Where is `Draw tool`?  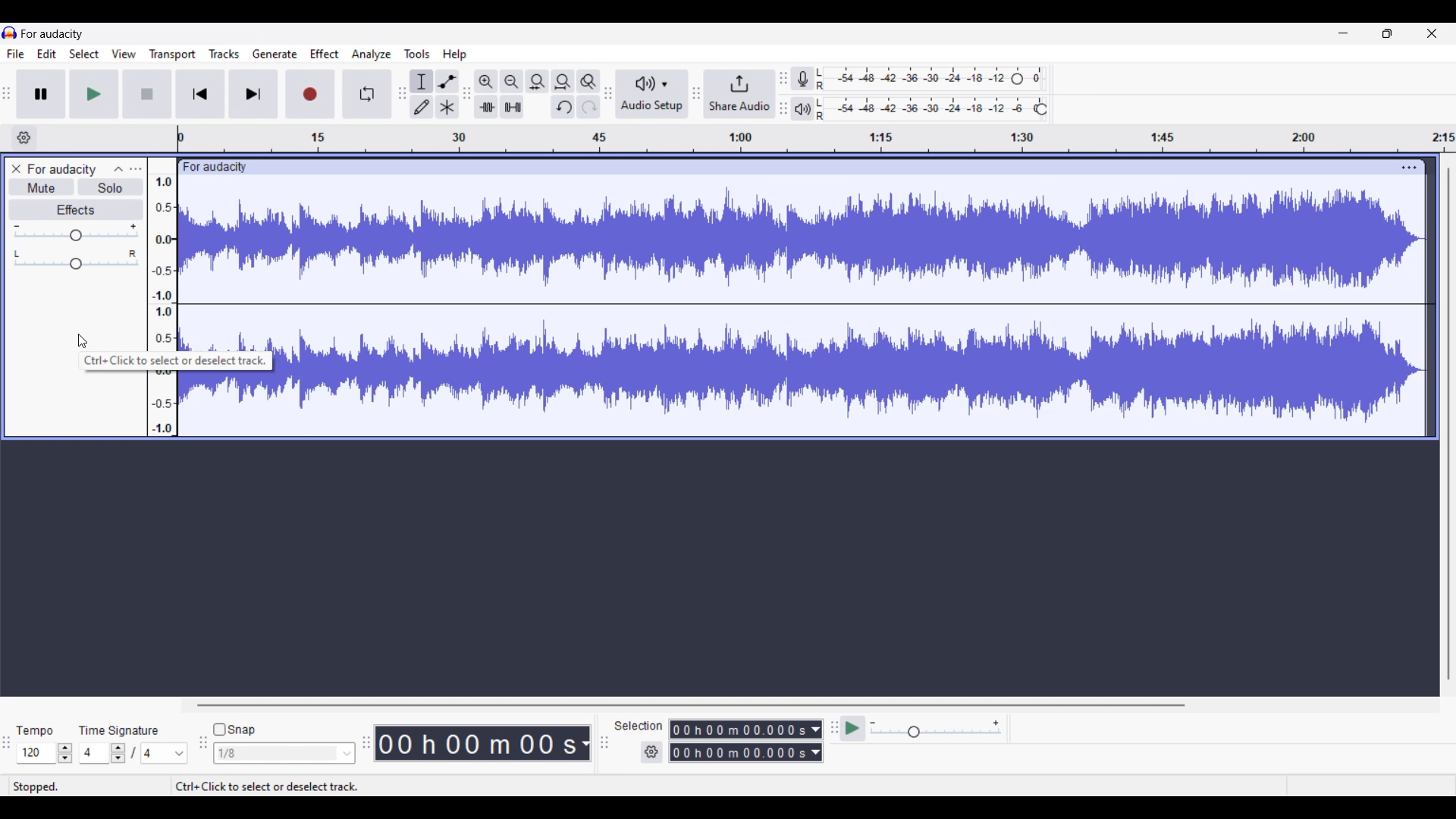
Draw tool is located at coordinates (422, 107).